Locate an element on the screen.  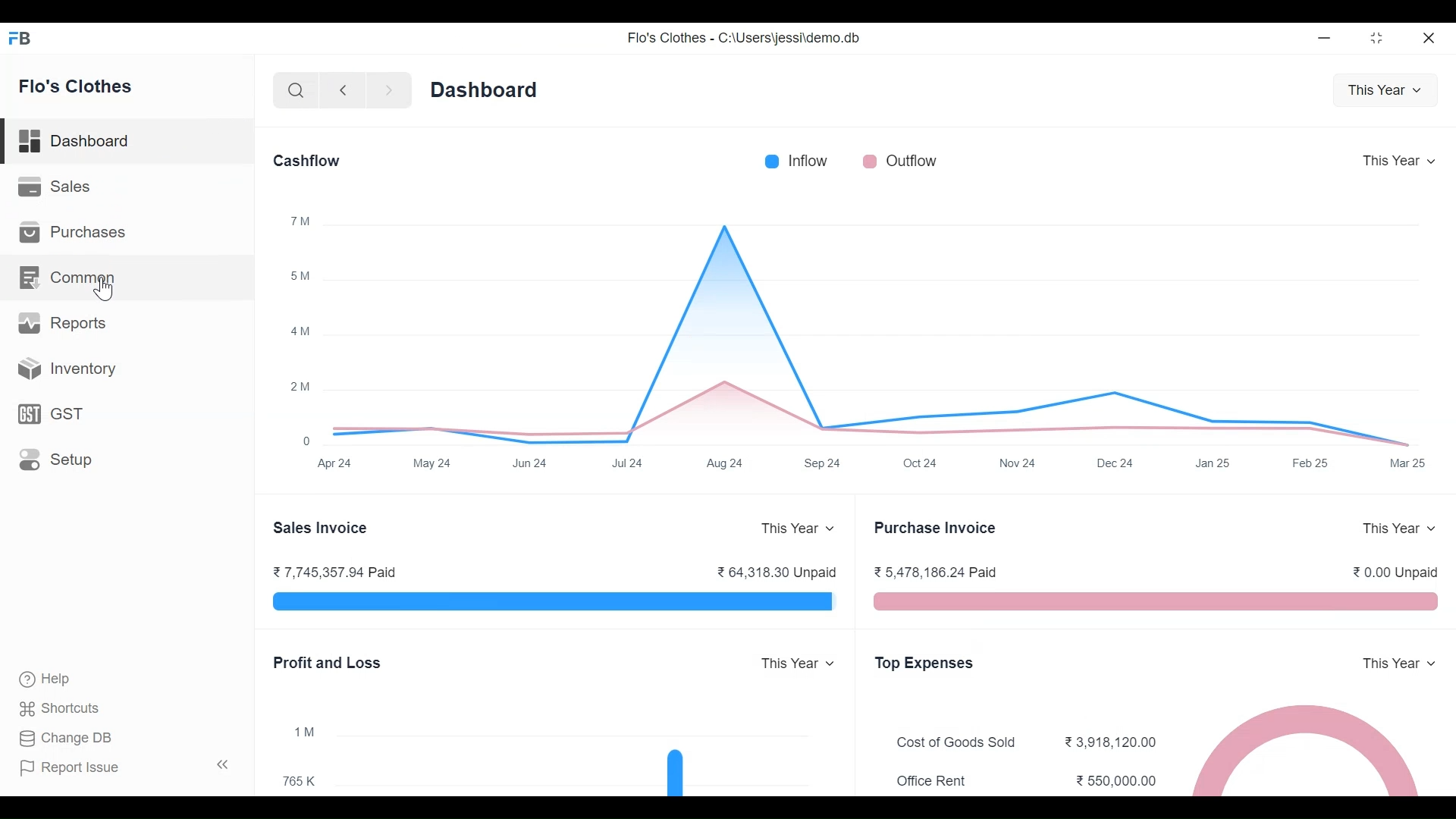
Restore is located at coordinates (1376, 38).